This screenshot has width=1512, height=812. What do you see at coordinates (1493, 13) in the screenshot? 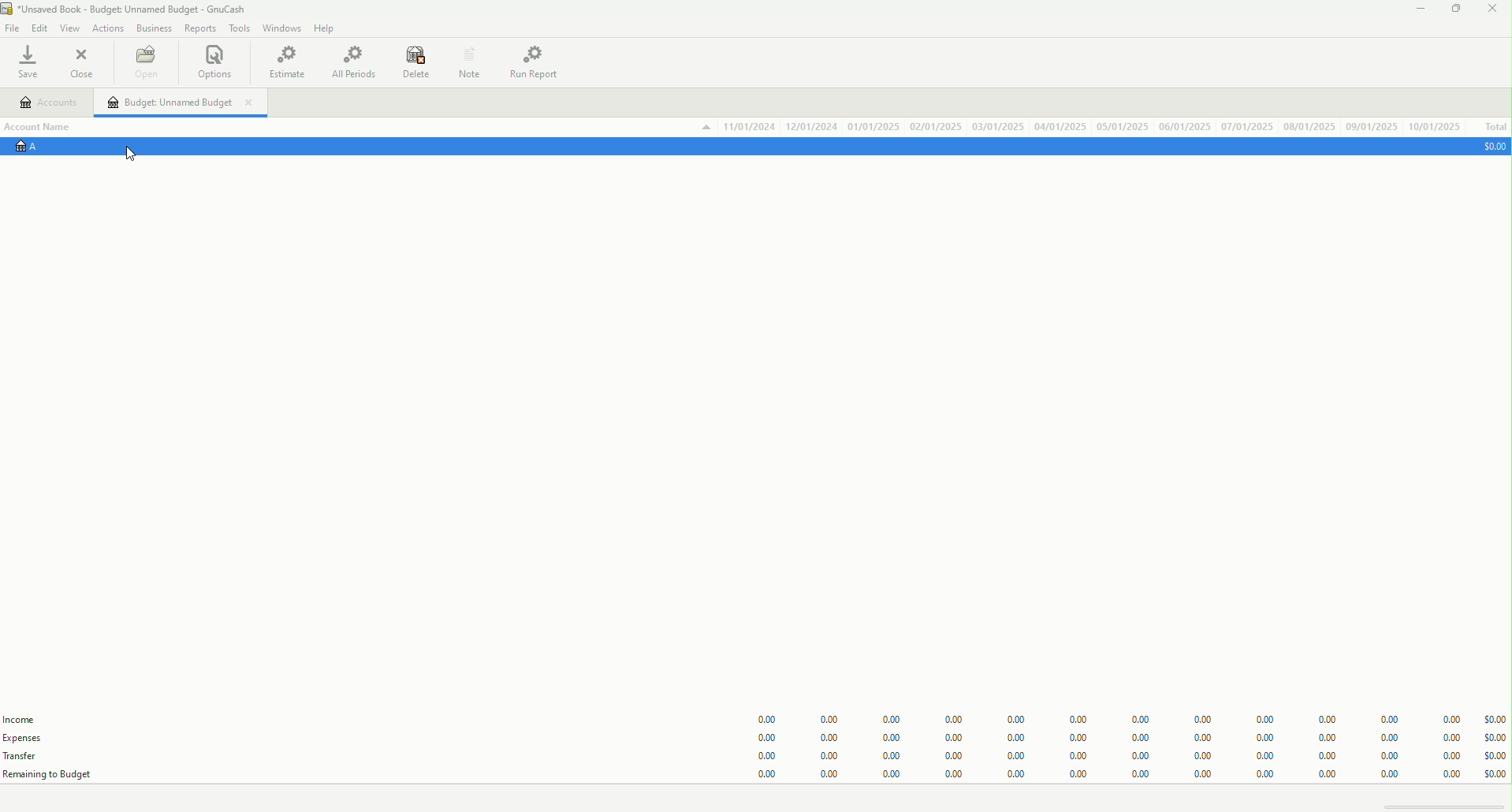
I see `Close` at bounding box center [1493, 13].